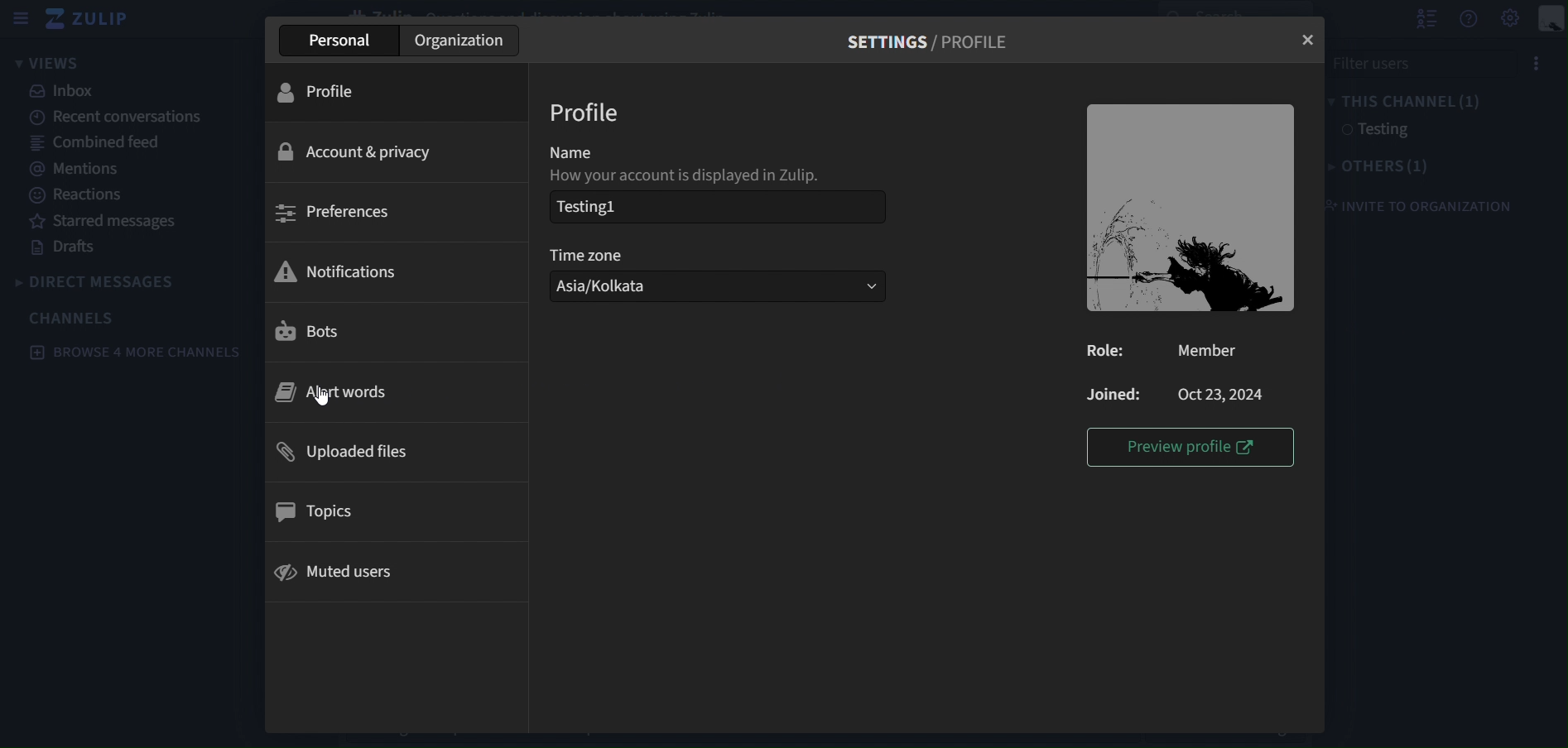 This screenshot has height=748, width=1568. What do you see at coordinates (1190, 208) in the screenshot?
I see `image` at bounding box center [1190, 208].